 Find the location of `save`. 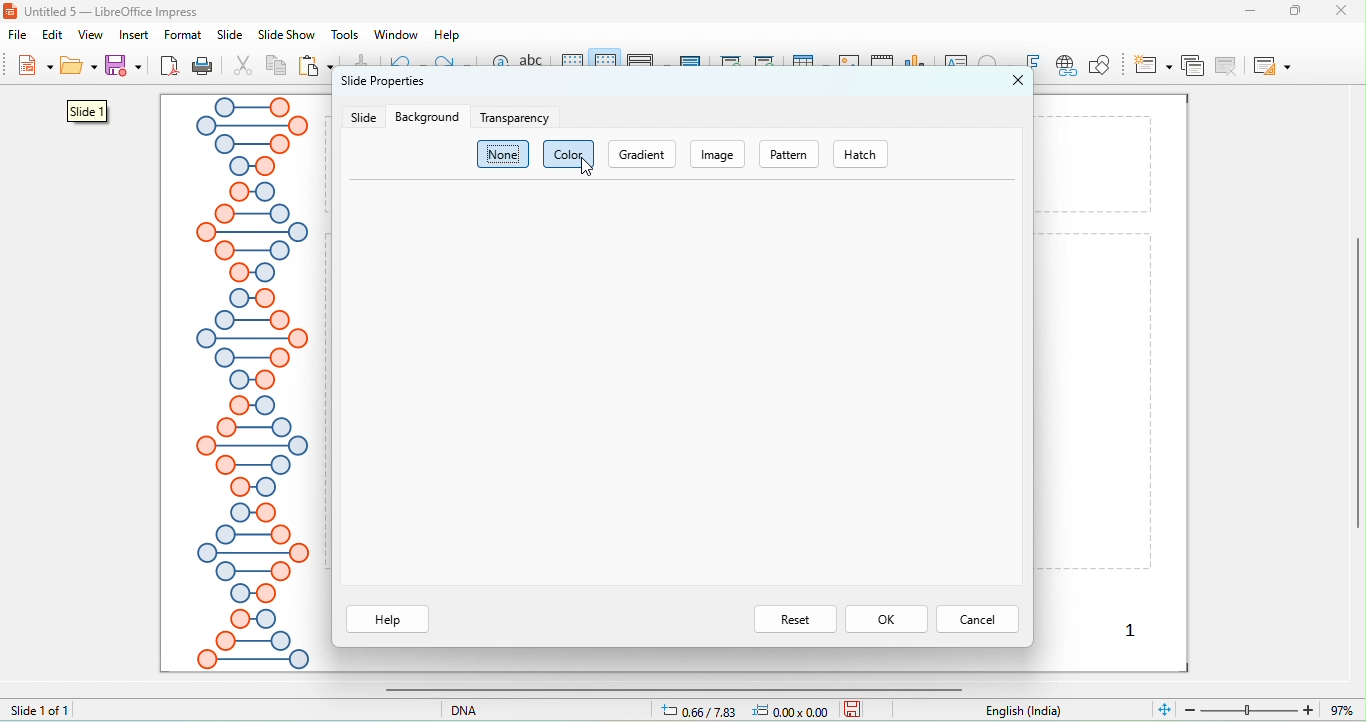

save is located at coordinates (853, 708).